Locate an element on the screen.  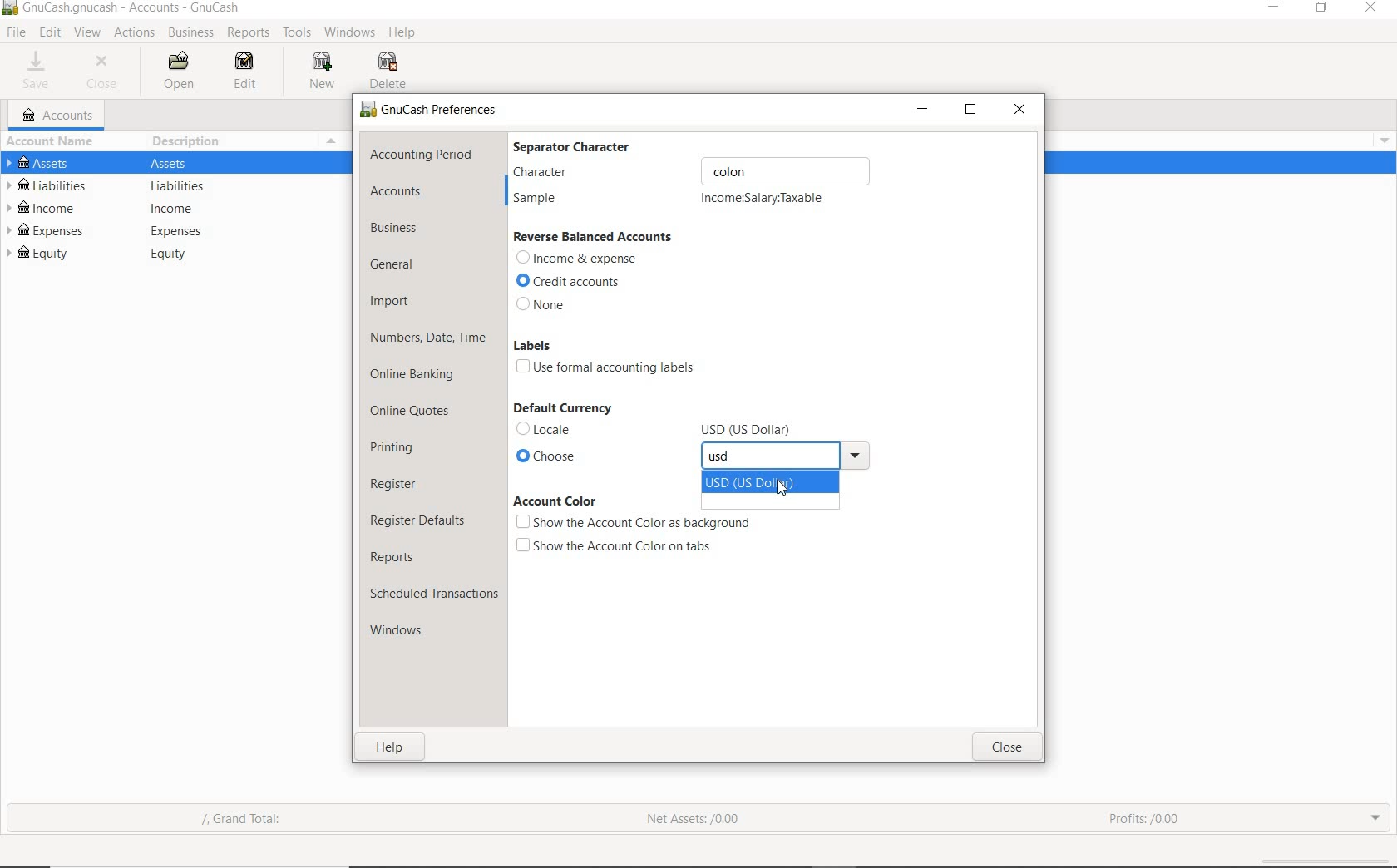
Menu is located at coordinates (333, 141).